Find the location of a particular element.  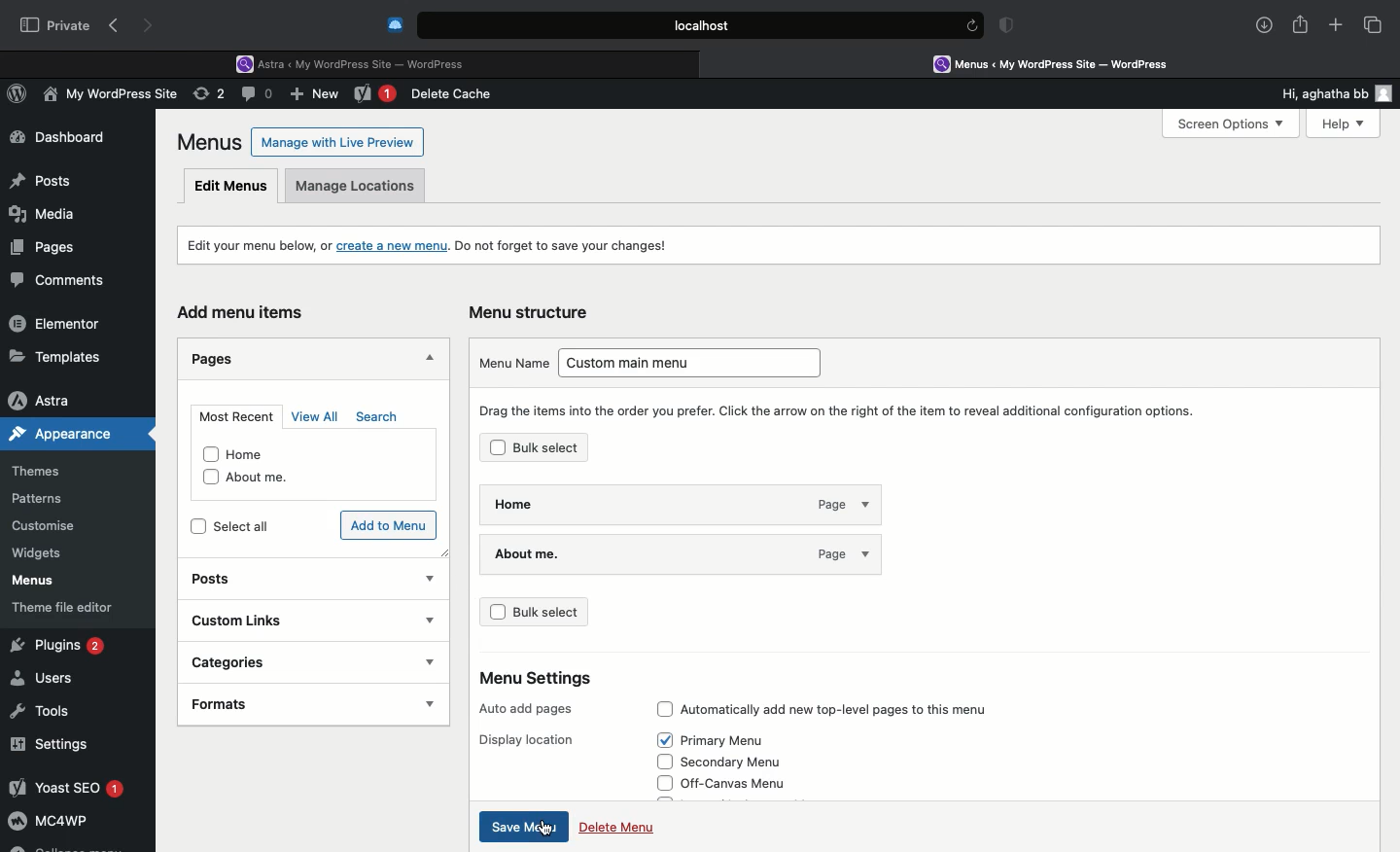

user icon is located at coordinates (1387, 93).